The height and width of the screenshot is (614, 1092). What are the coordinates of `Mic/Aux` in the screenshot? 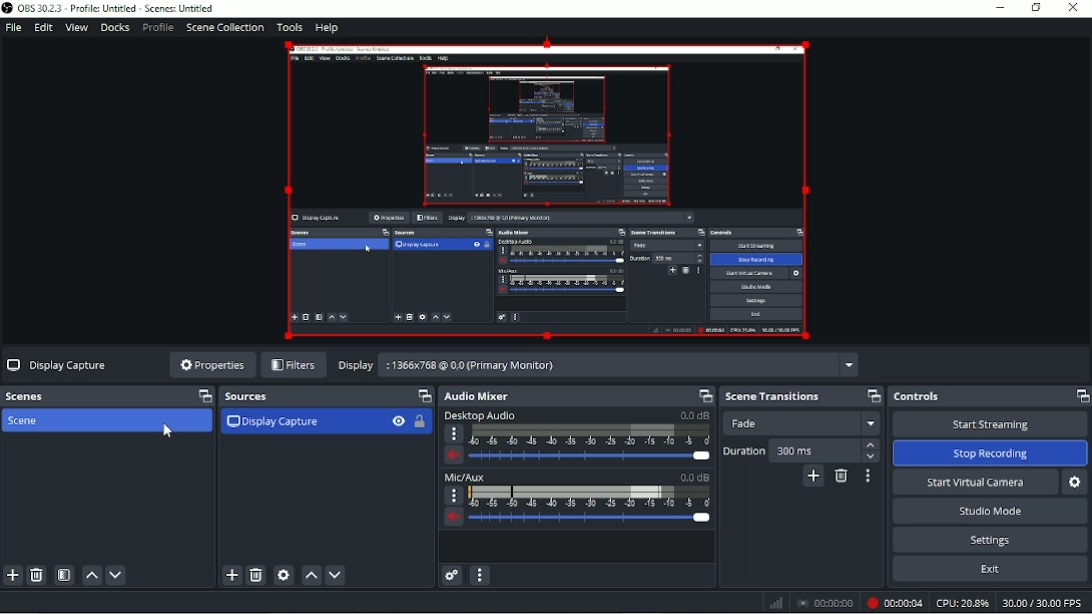 It's located at (466, 478).